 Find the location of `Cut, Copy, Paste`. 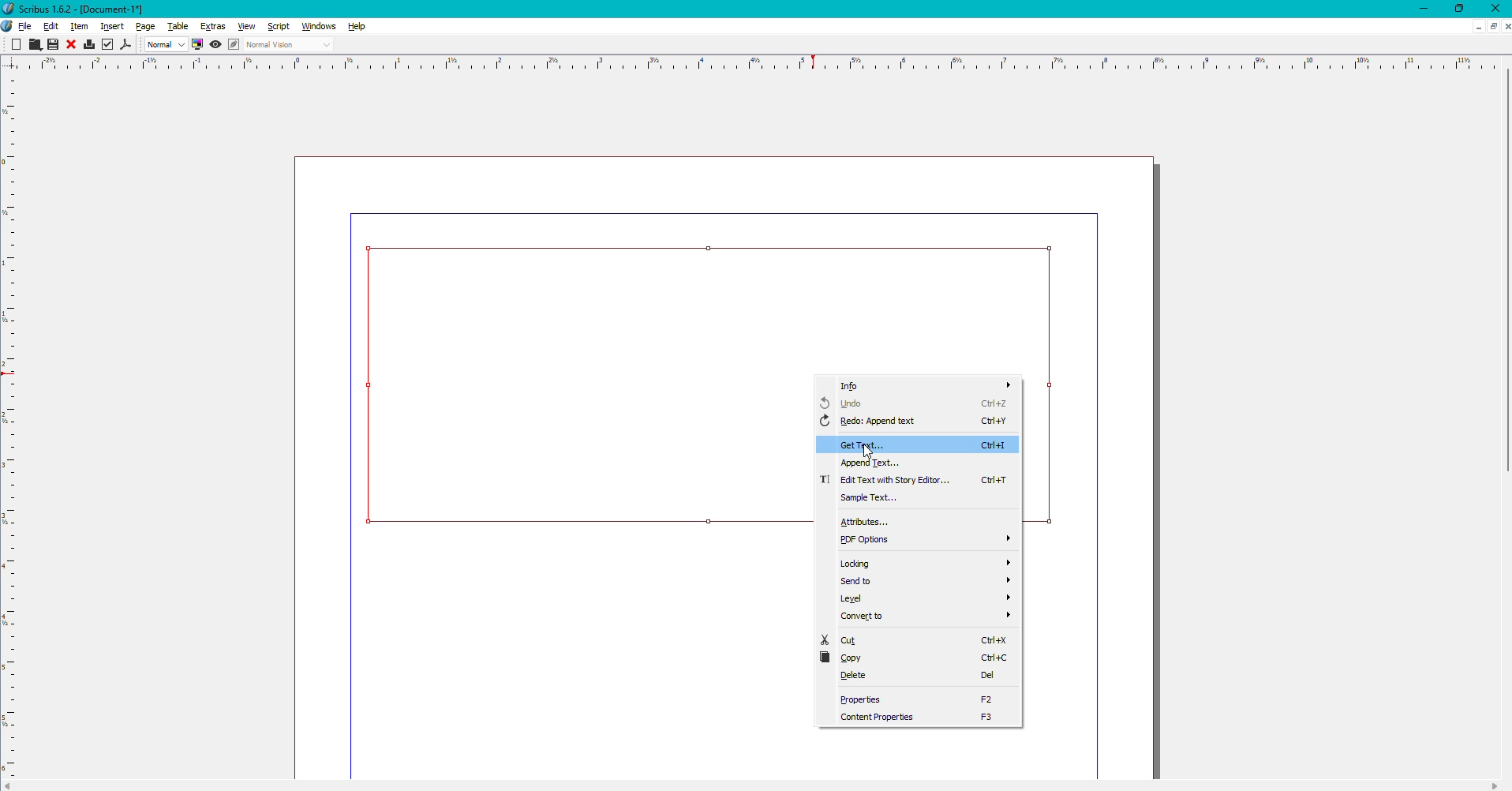

Cut, Copy, Paste is located at coordinates (35, 45).